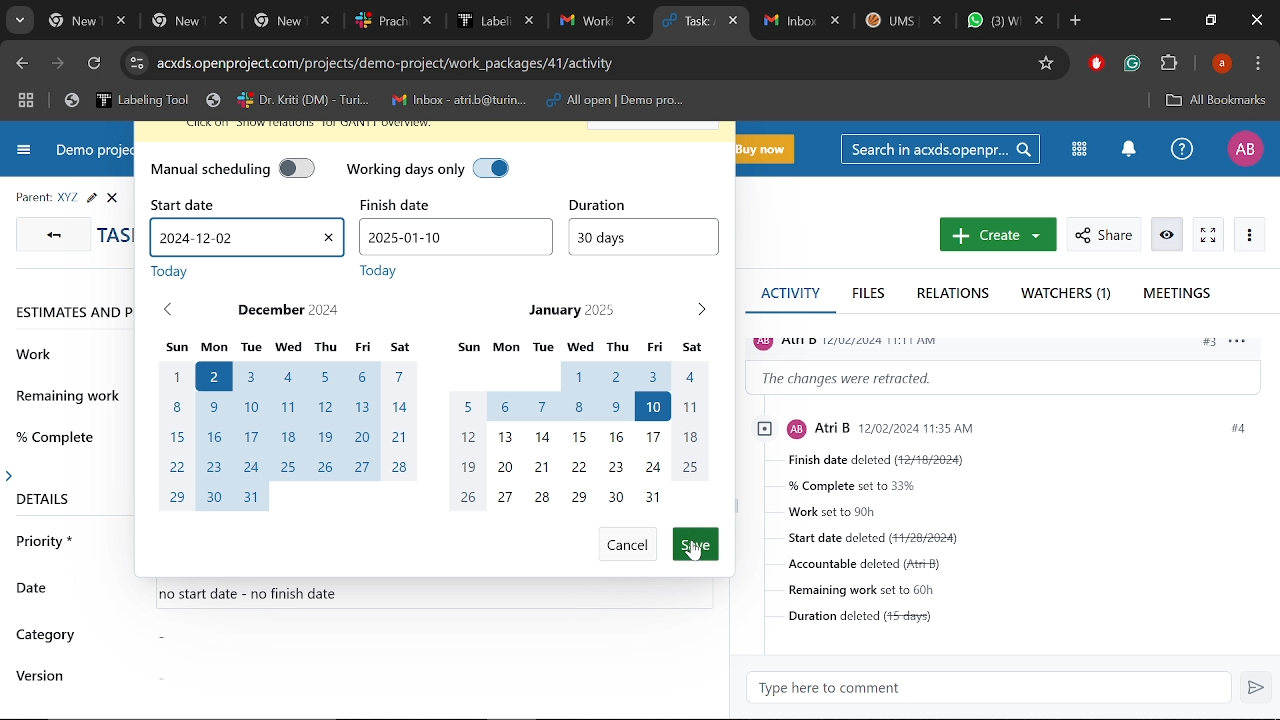 The width and height of the screenshot is (1280, 720). Describe the element at coordinates (1179, 296) in the screenshot. I see `Meetings` at that location.